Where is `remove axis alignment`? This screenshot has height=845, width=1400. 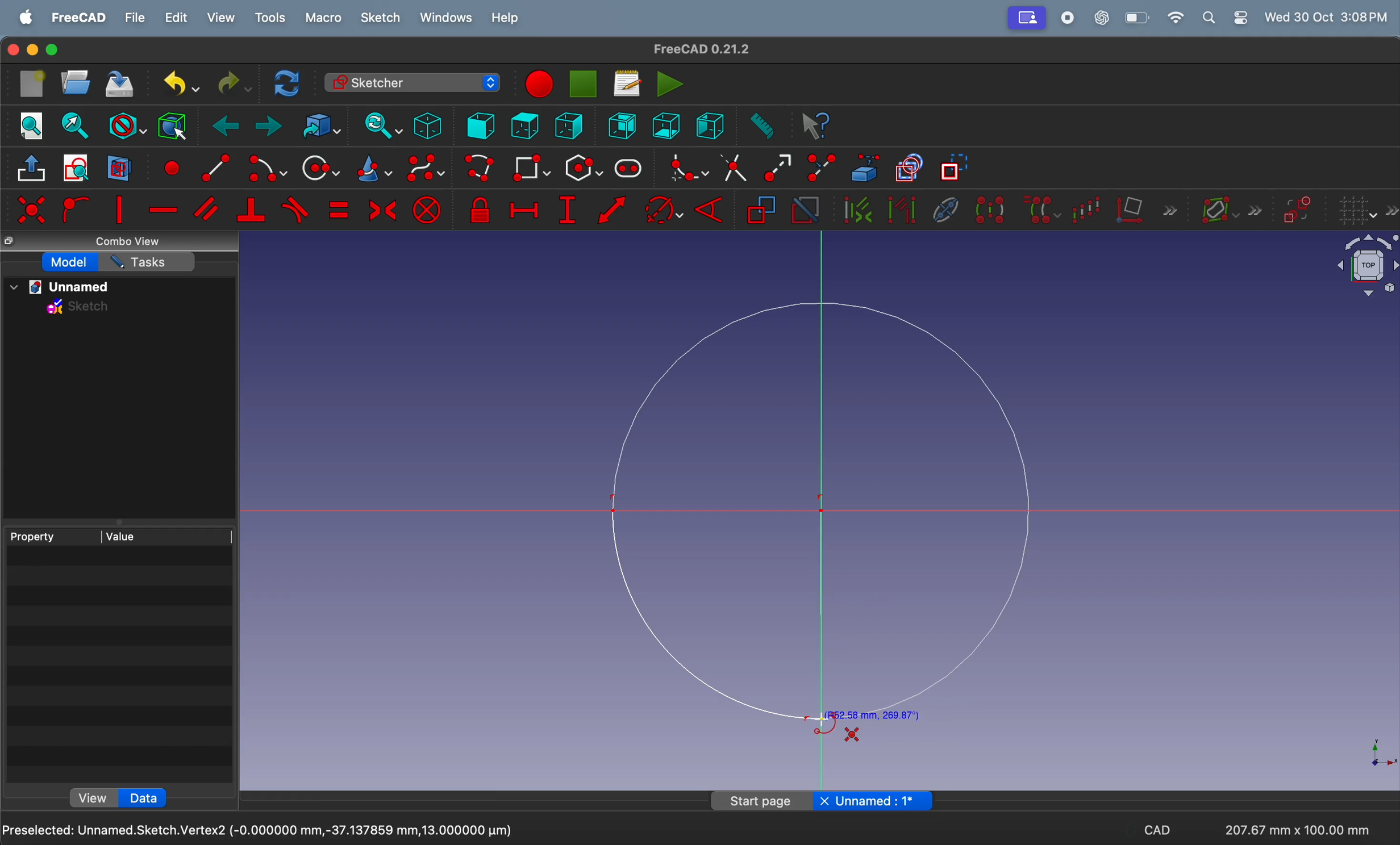
remove axis alignment is located at coordinates (1147, 209).